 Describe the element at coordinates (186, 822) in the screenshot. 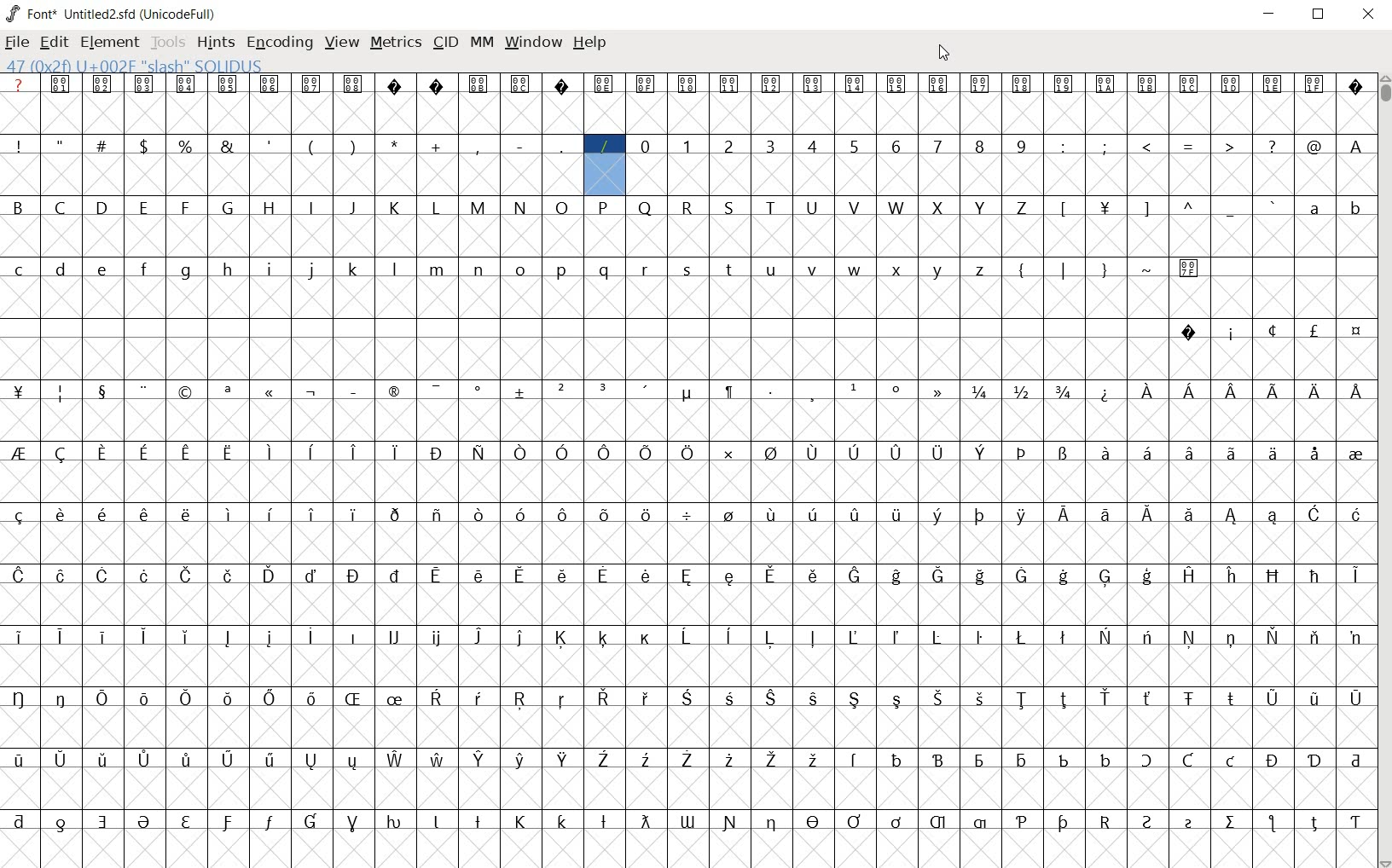

I see `glyph` at that location.